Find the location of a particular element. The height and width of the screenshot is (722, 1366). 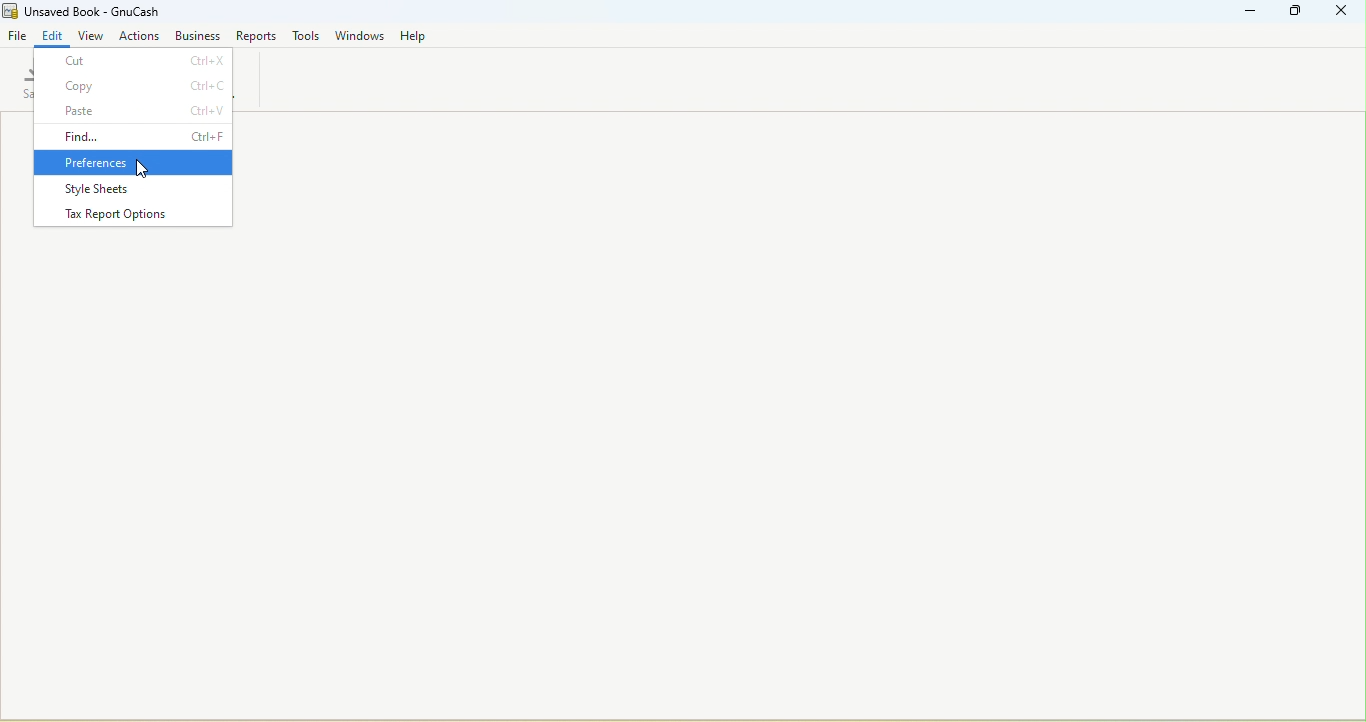

Windows is located at coordinates (360, 36).